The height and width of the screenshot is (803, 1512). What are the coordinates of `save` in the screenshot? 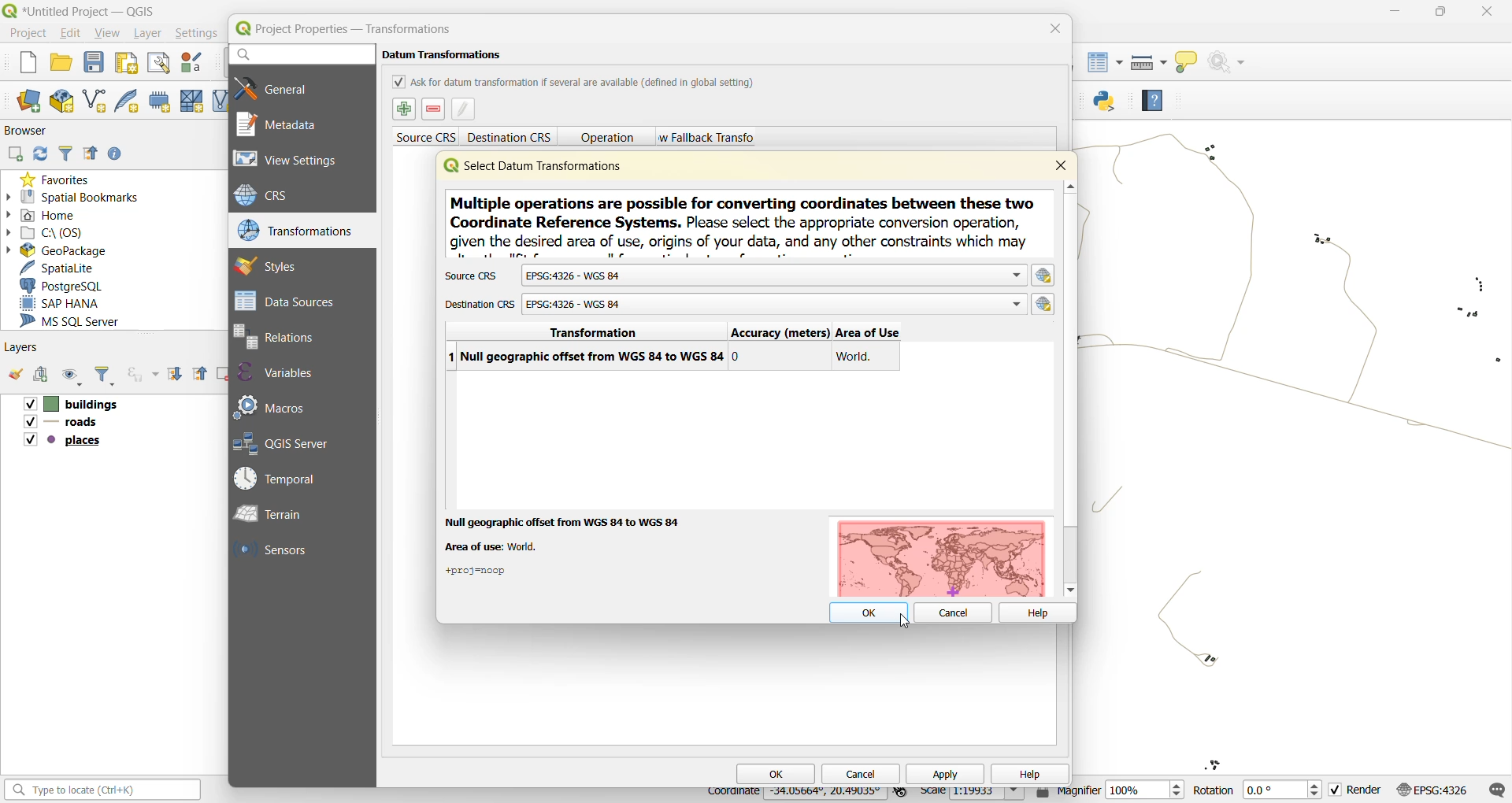 It's located at (94, 64).